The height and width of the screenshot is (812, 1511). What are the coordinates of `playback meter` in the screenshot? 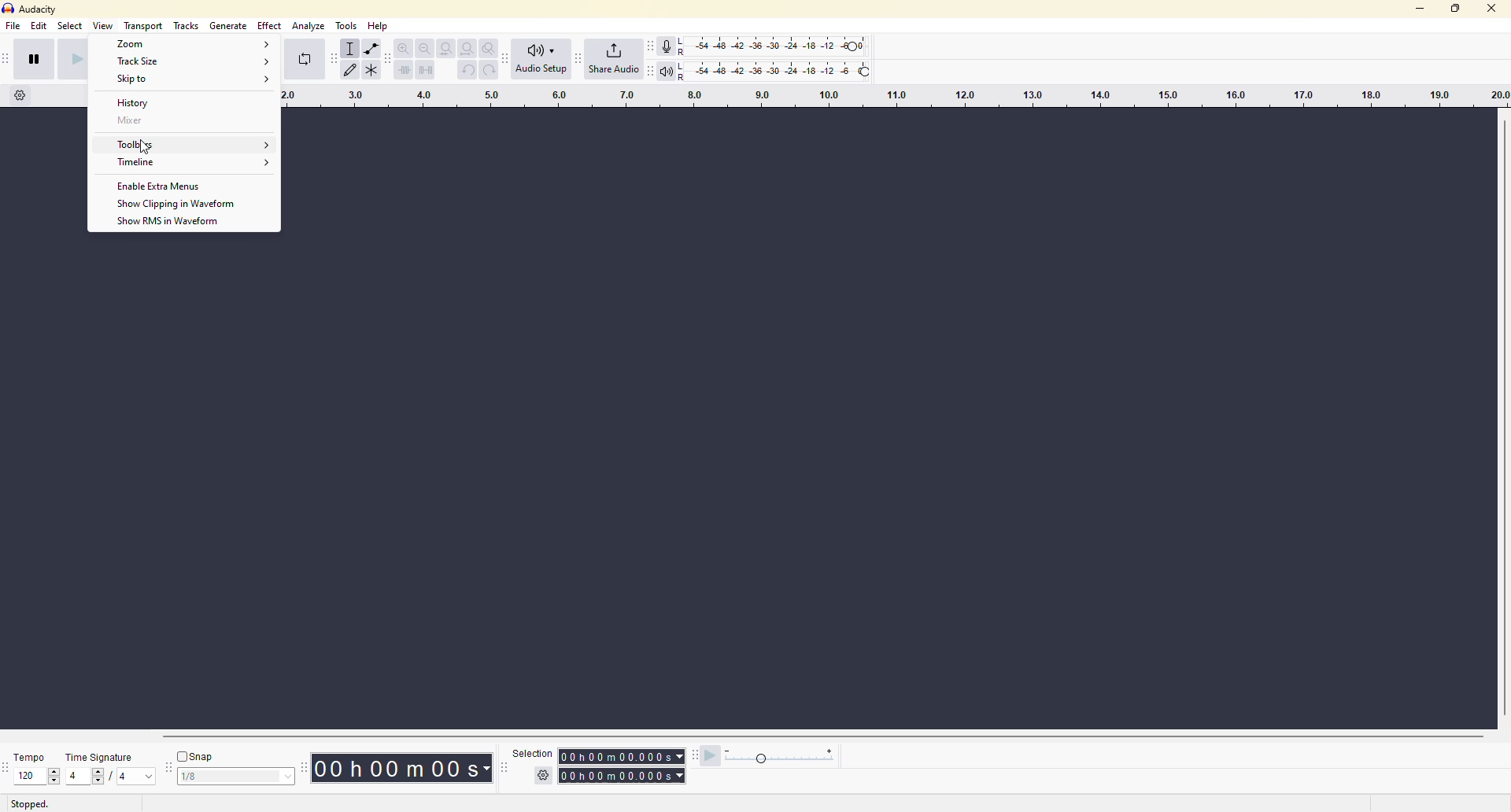 It's located at (667, 71).